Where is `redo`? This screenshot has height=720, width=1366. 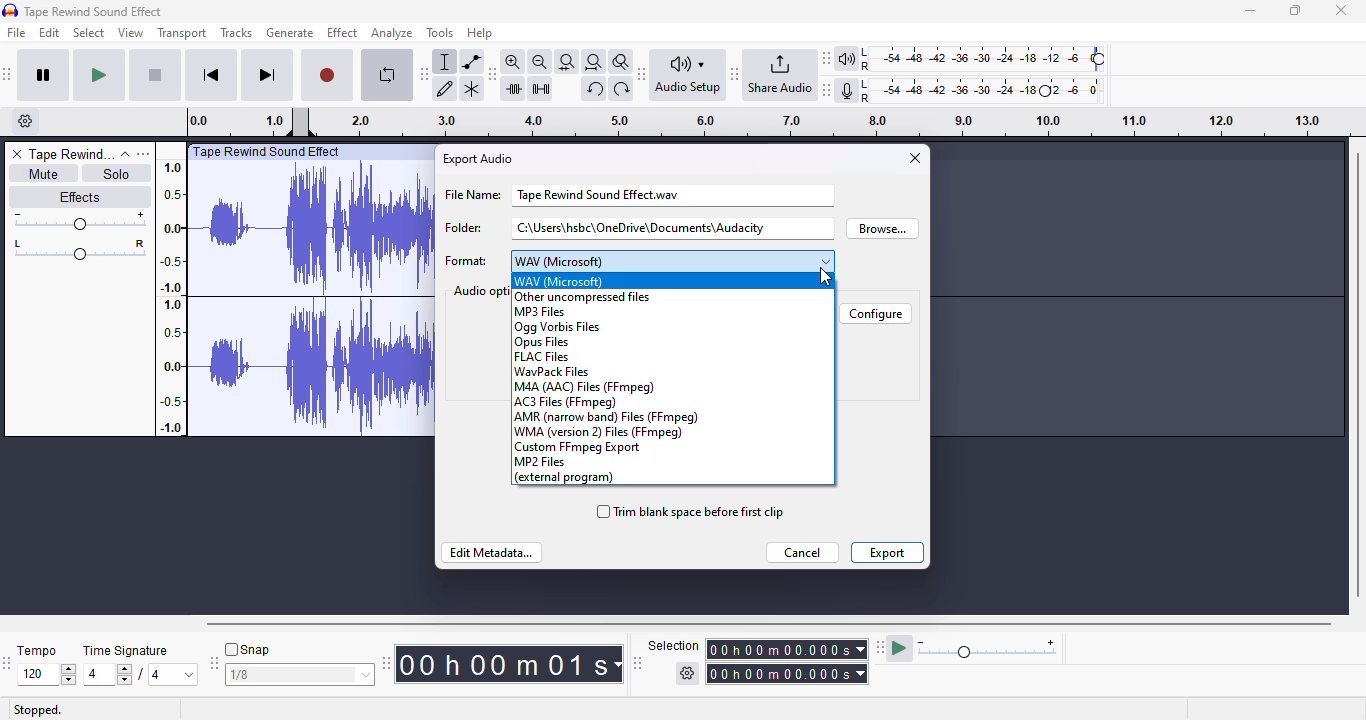
redo is located at coordinates (622, 88).